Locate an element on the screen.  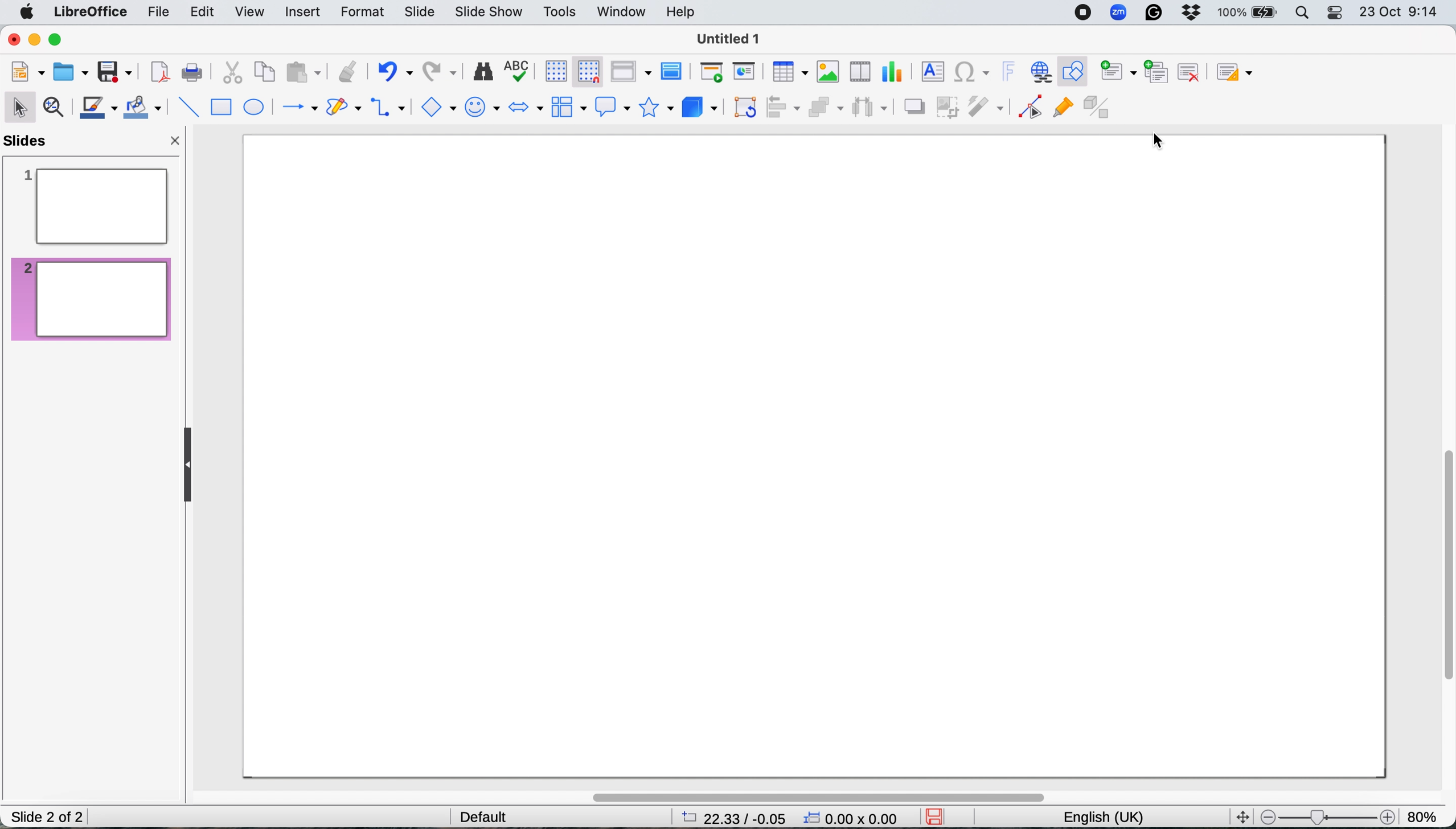
shadow is located at coordinates (913, 106).